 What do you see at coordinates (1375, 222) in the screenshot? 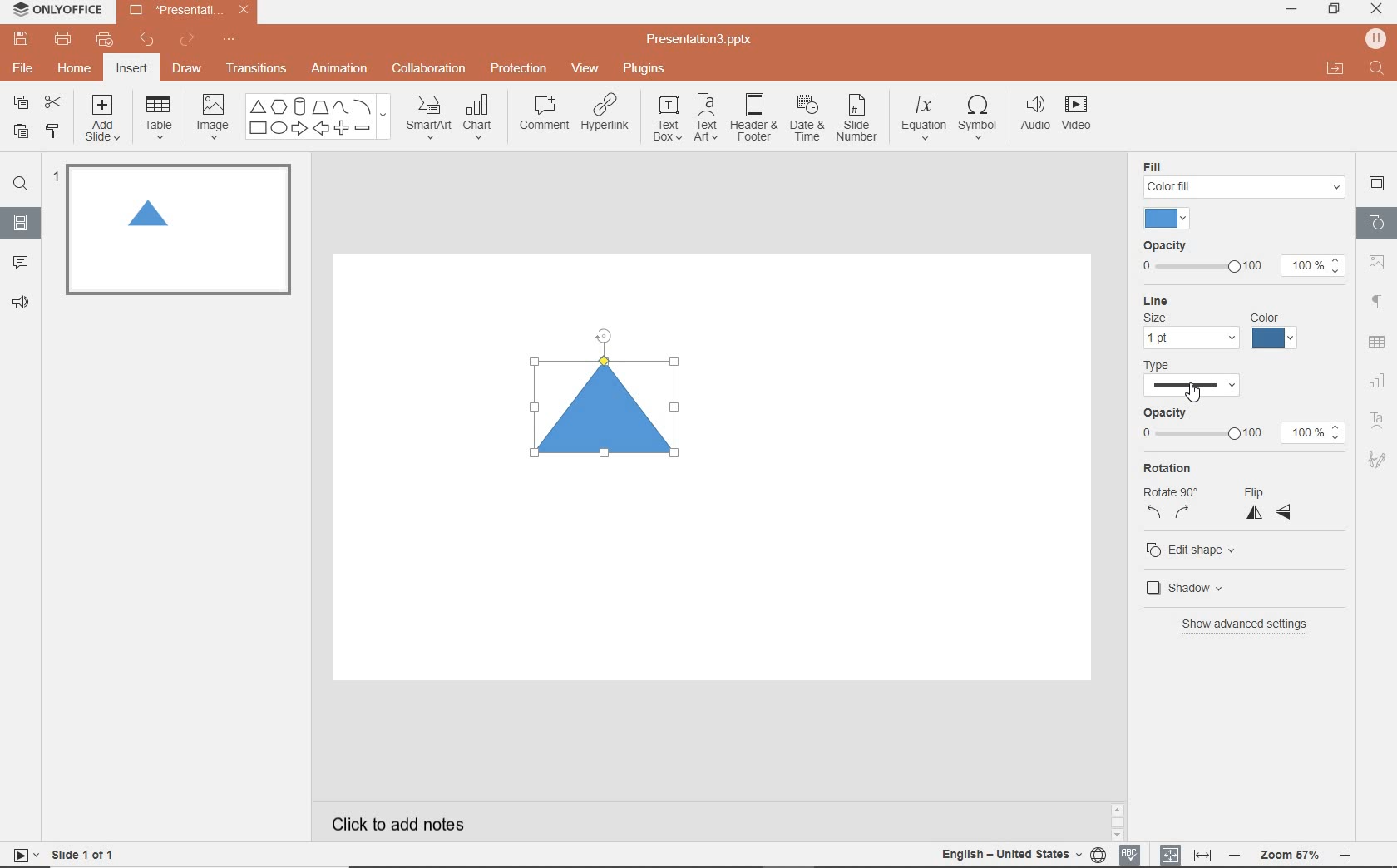
I see `SHAPE SETTINGS` at bounding box center [1375, 222].